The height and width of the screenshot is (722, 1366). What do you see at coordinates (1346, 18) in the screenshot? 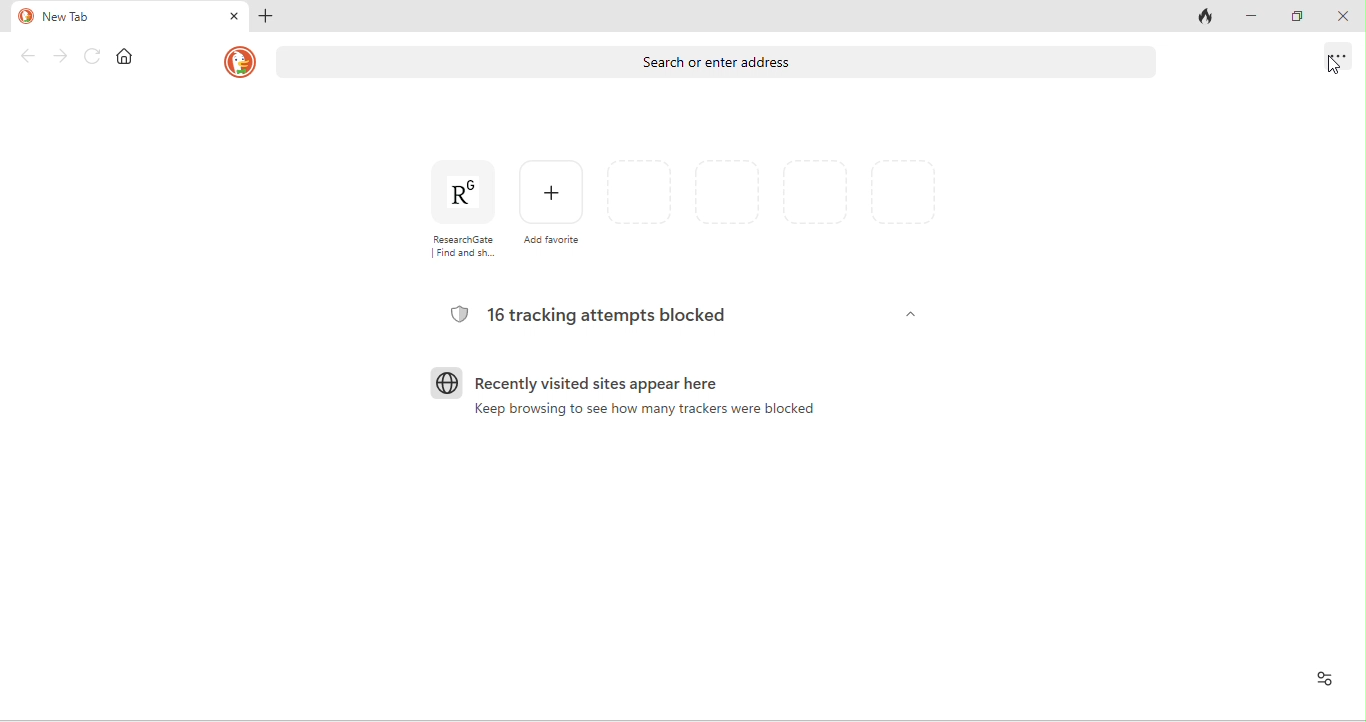
I see `close` at bounding box center [1346, 18].